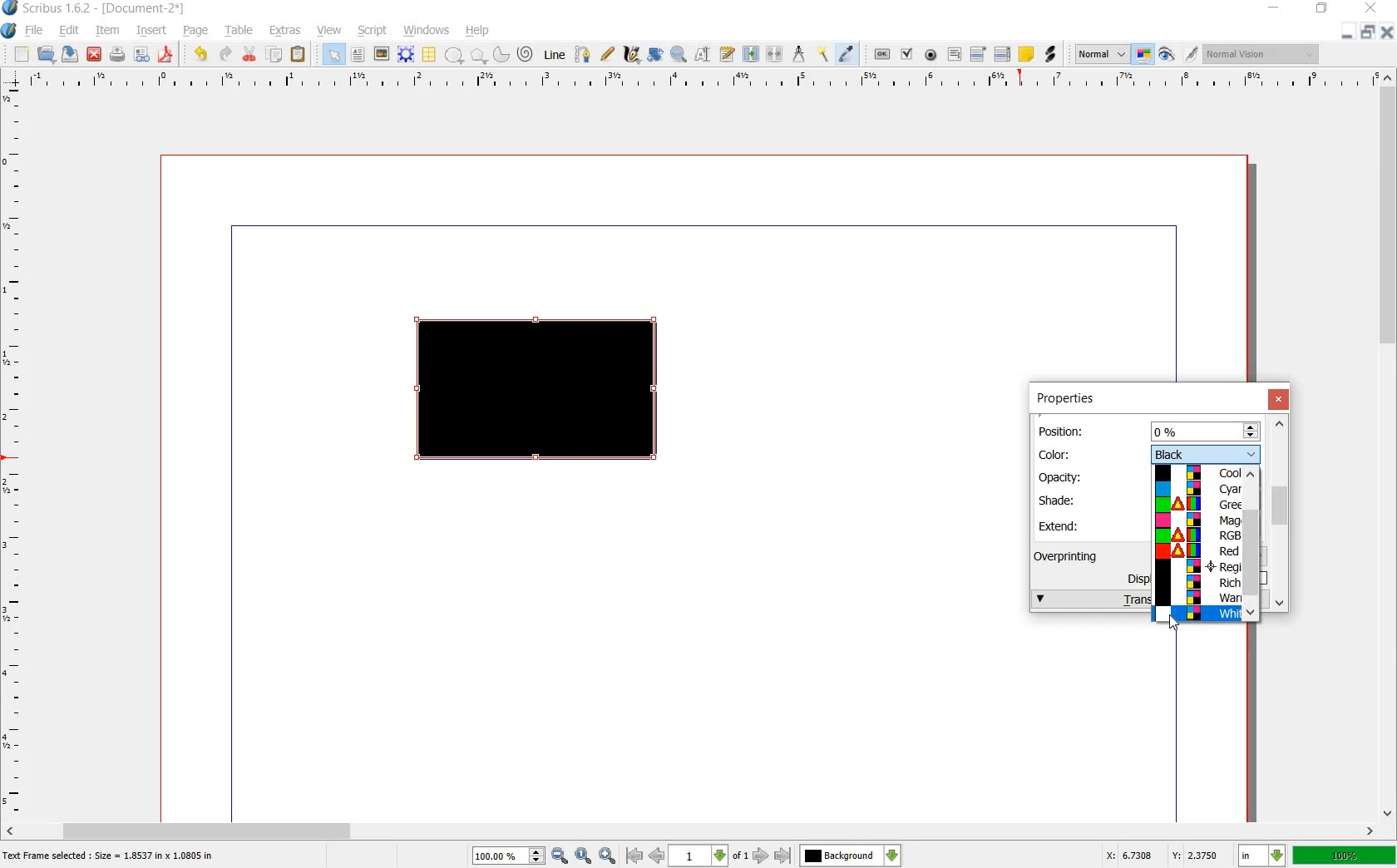 The height and width of the screenshot is (868, 1397). Describe the element at coordinates (631, 53) in the screenshot. I see `calligraphic line` at that location.